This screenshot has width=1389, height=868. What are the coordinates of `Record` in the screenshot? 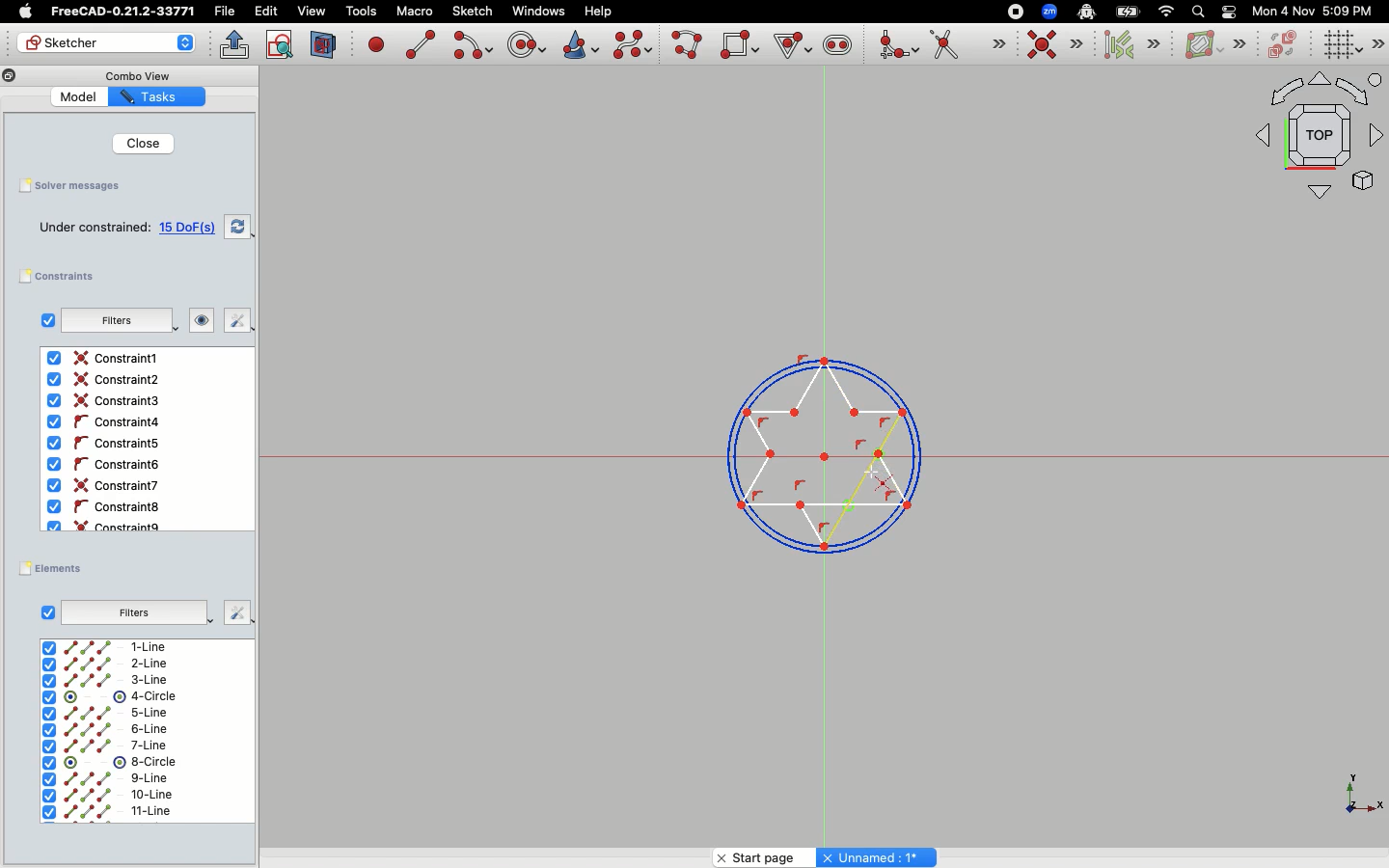 It's located at (1011, 11).